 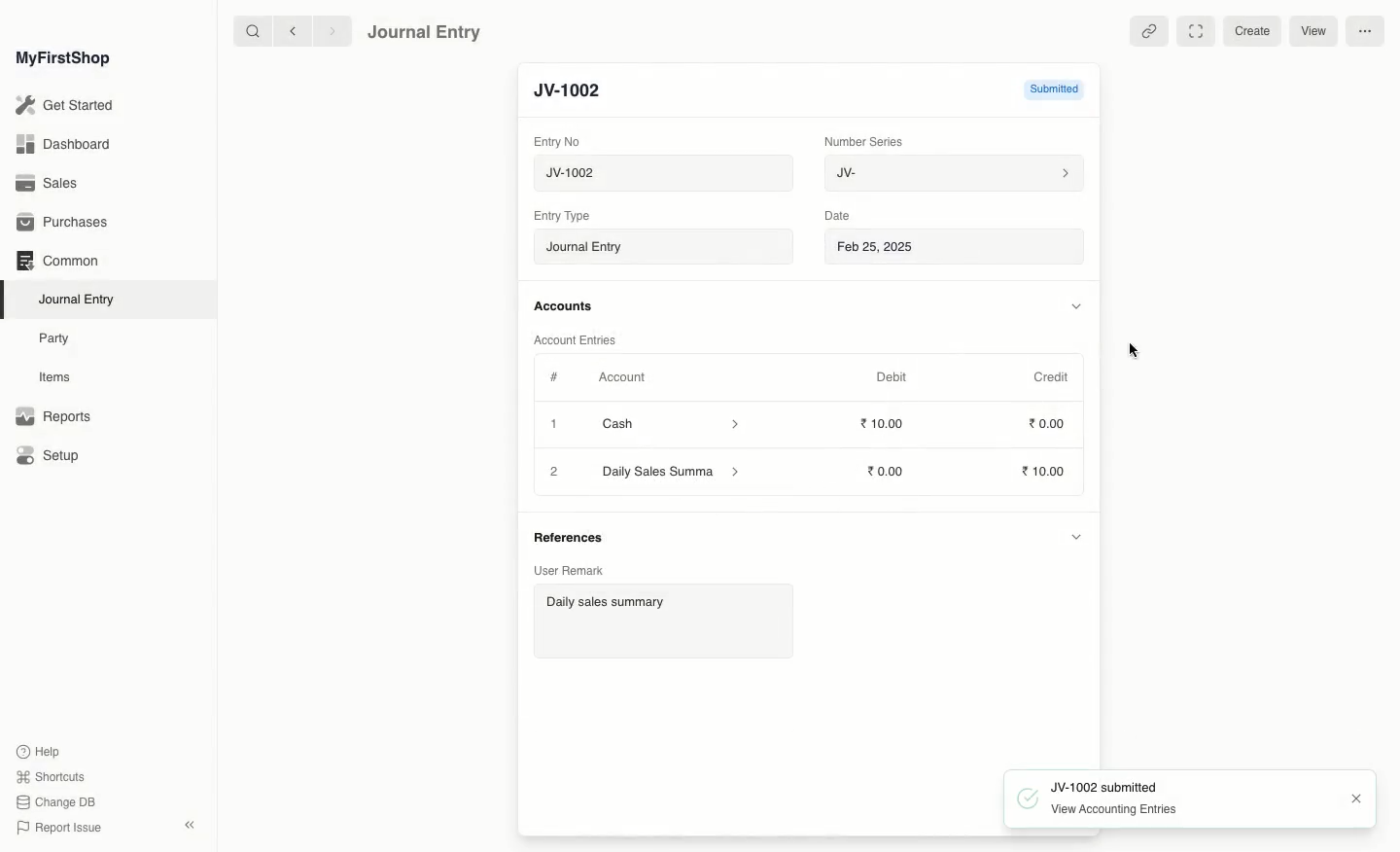 What do you see at coordinates (48, 185) in the screenshot?
I see `Sales` at bounding box center [48, 185].